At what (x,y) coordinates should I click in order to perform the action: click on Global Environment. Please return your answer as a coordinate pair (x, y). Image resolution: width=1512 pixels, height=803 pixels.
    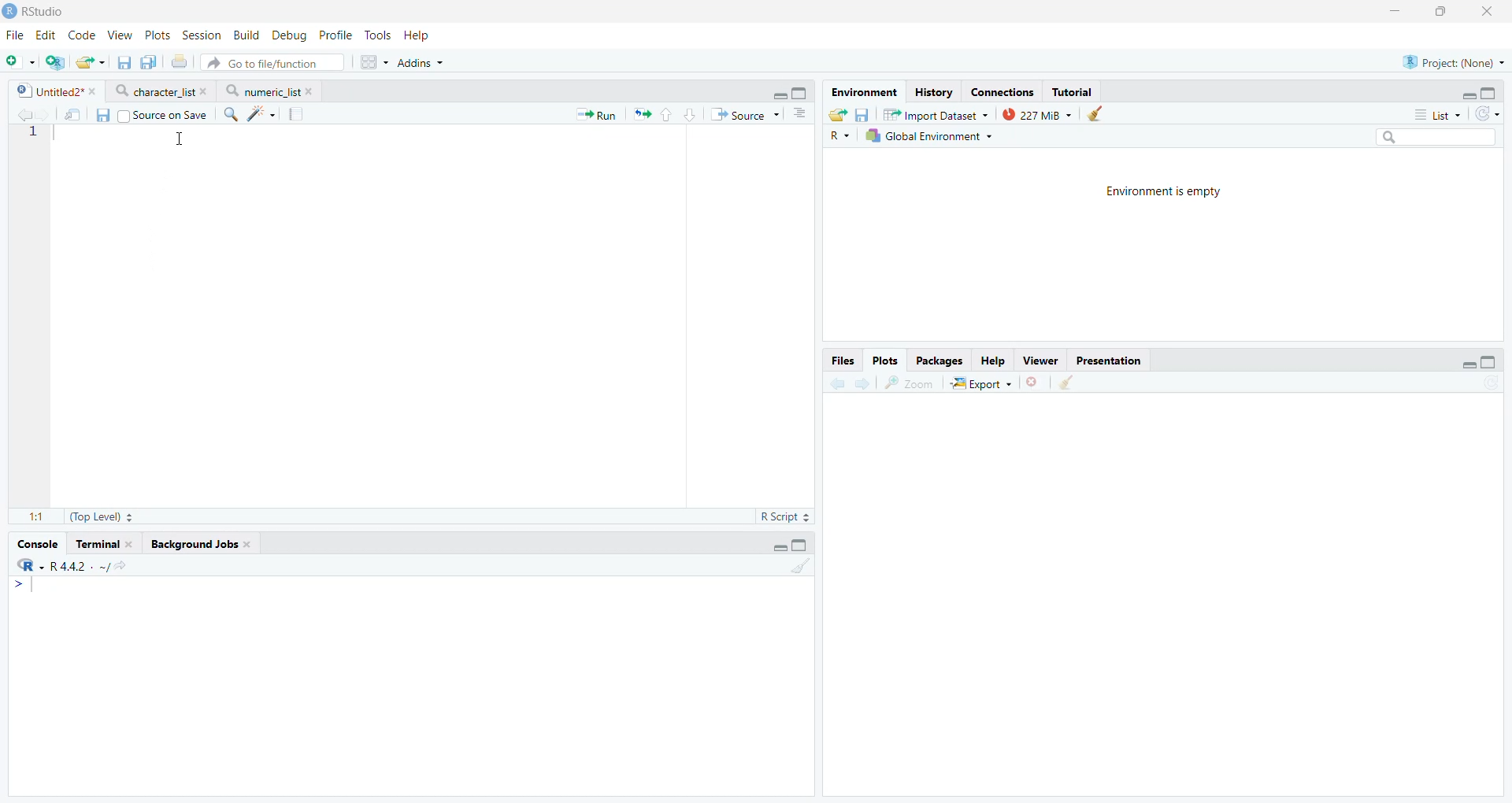
    Looking at the image, I should click on (929, 135).